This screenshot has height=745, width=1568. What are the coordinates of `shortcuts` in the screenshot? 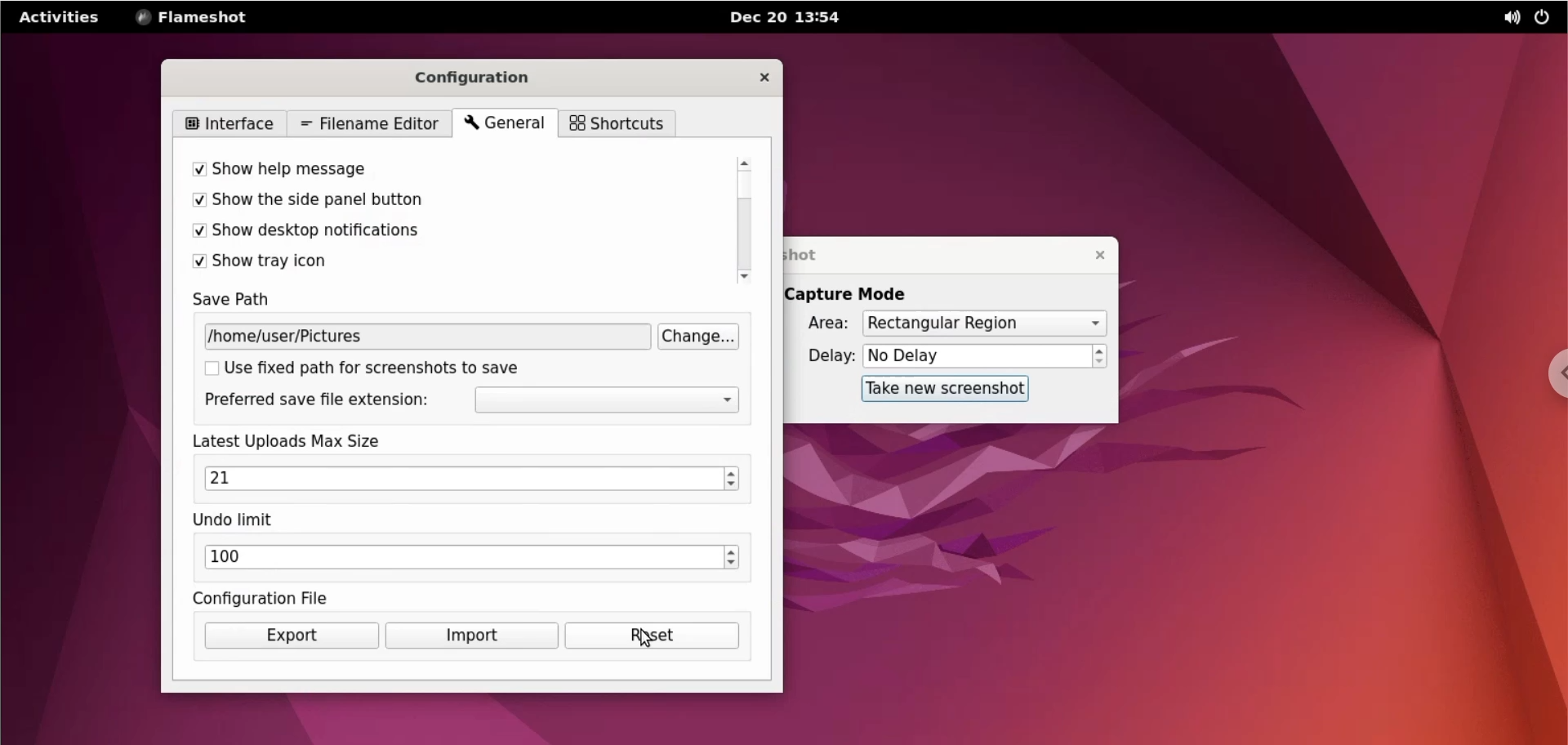 It's located at (617, 123).